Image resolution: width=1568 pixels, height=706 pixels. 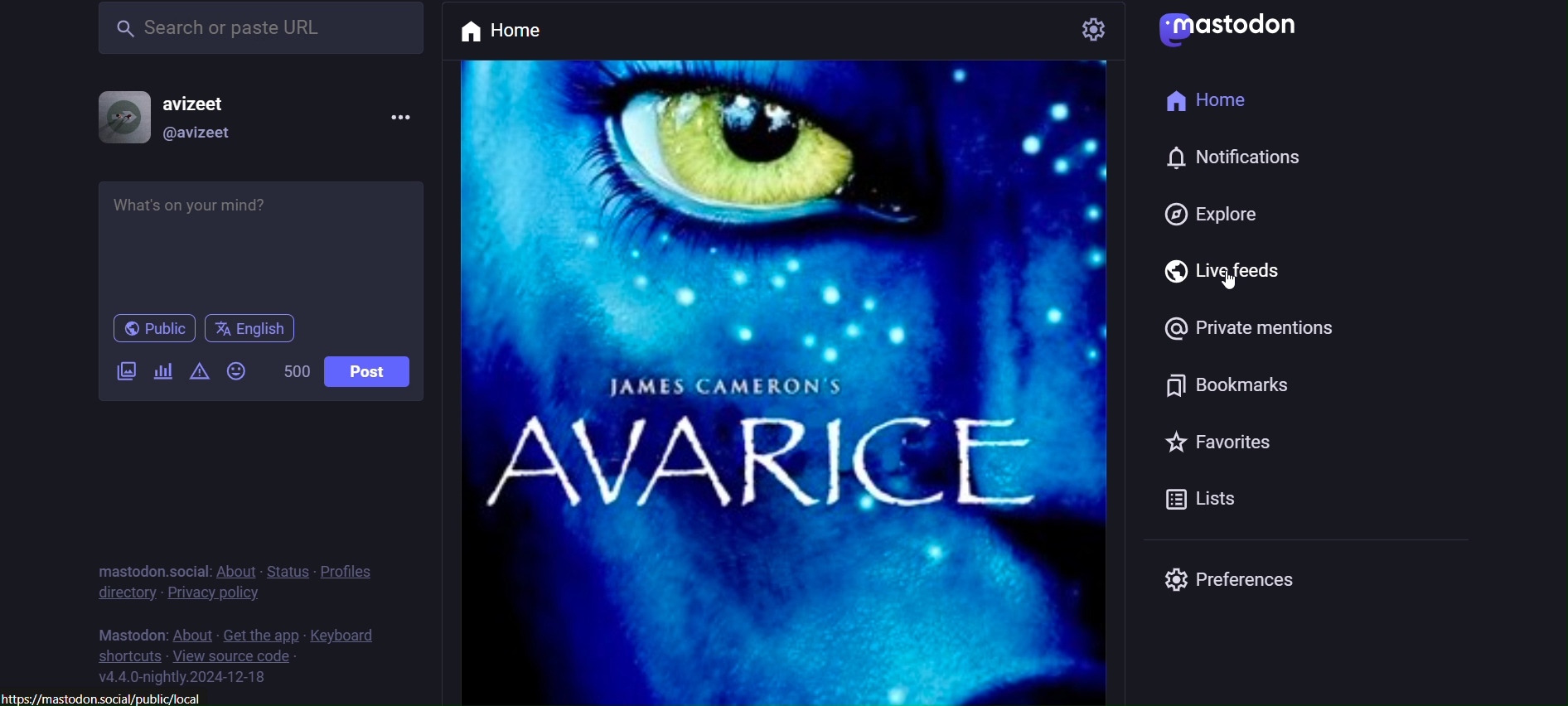 I want to click on english, so click(x=251, y=330).